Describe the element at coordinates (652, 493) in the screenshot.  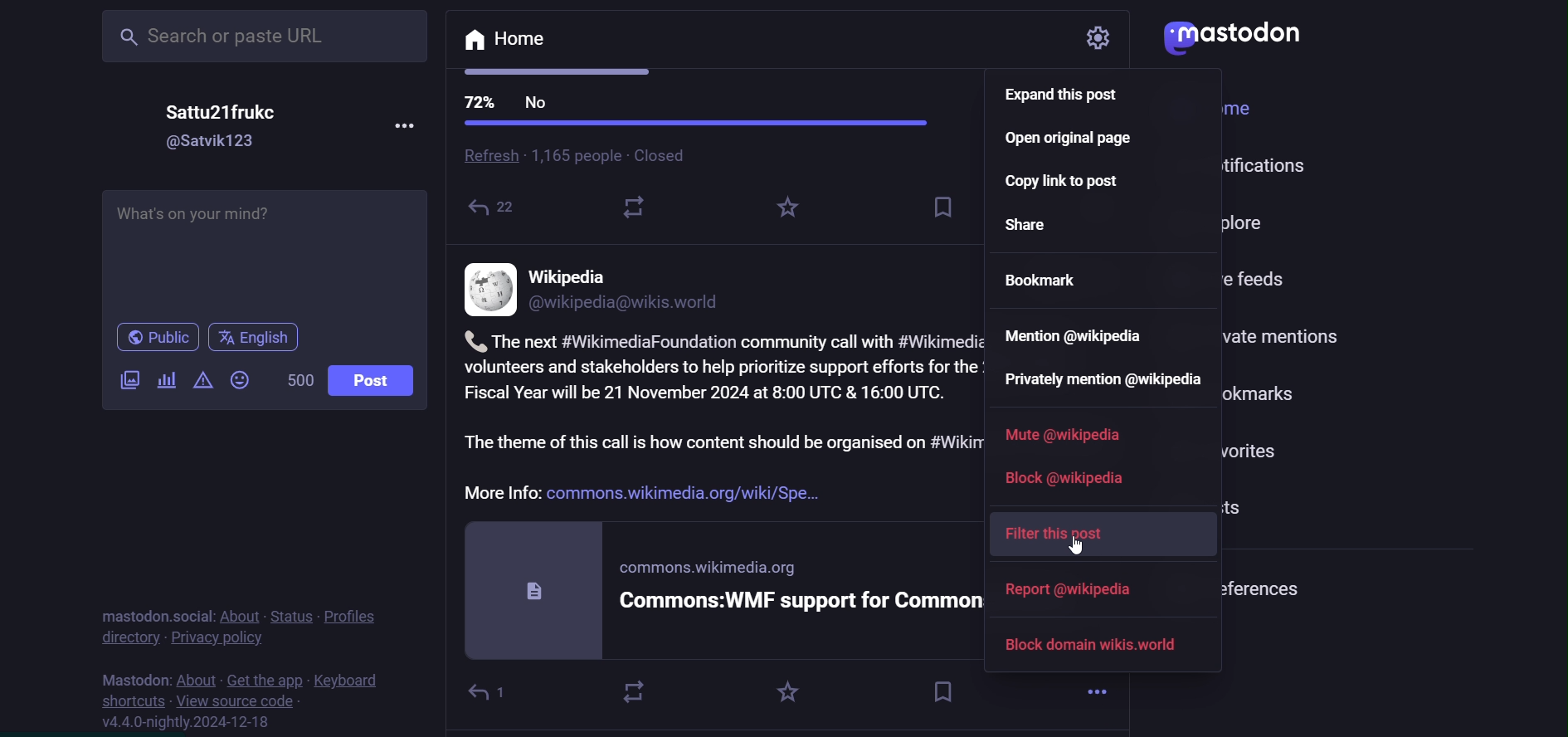
I see `More Info: commons.wikimedia.org/wiki/Spe...` at that location.